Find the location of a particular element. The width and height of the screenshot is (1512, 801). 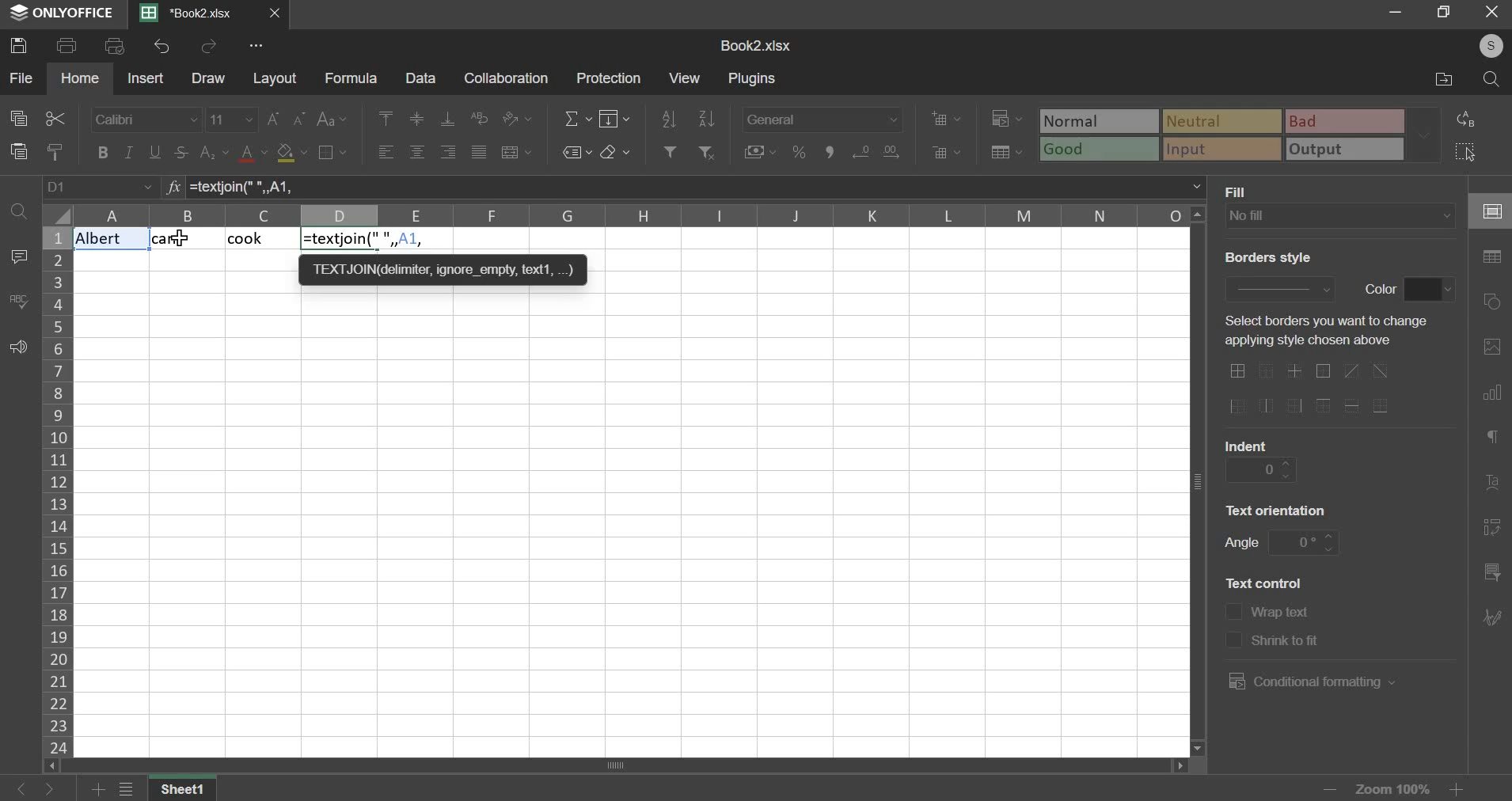

indent is located at coordinates (1261, 469).